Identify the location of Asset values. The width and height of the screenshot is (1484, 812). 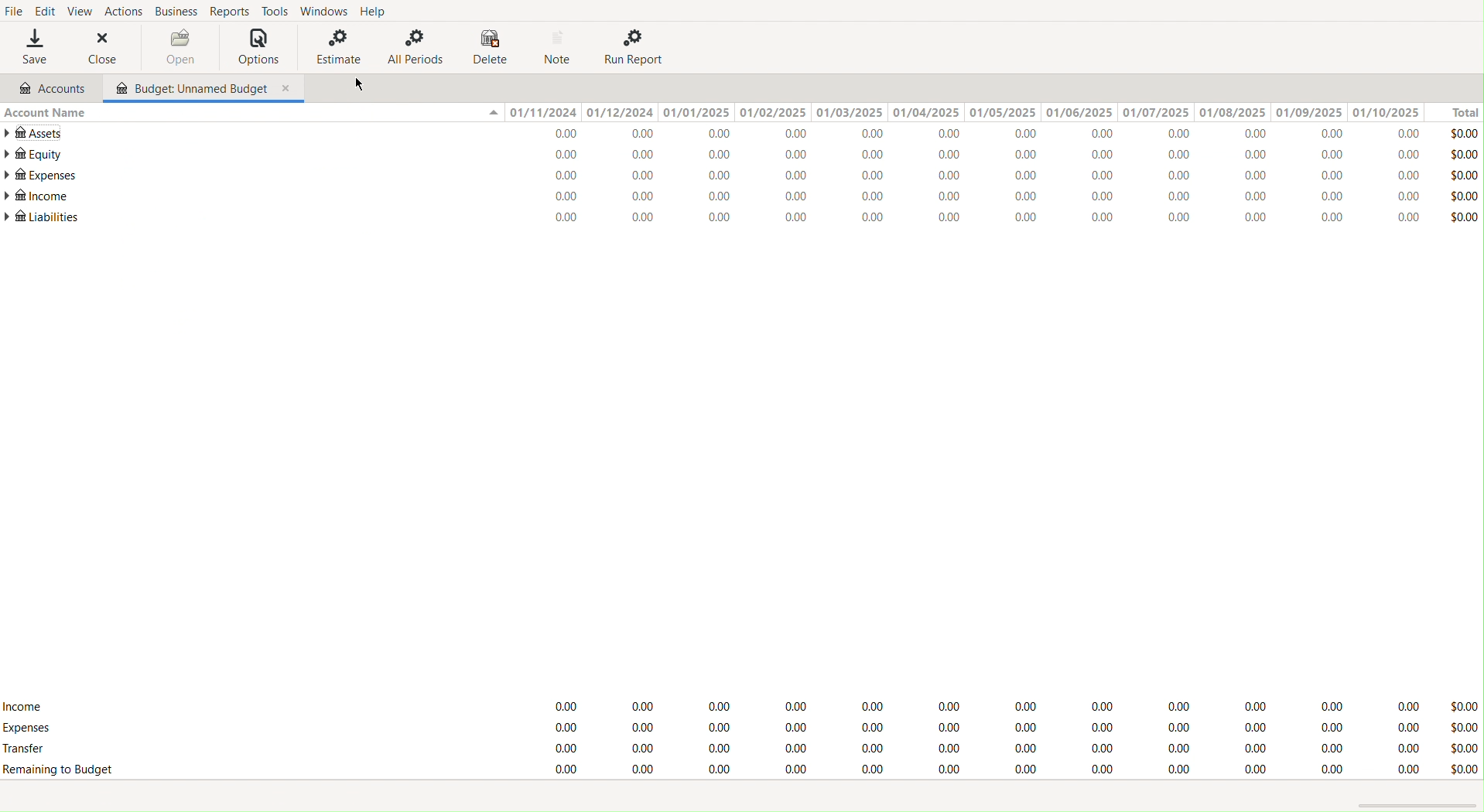
(972, 134).